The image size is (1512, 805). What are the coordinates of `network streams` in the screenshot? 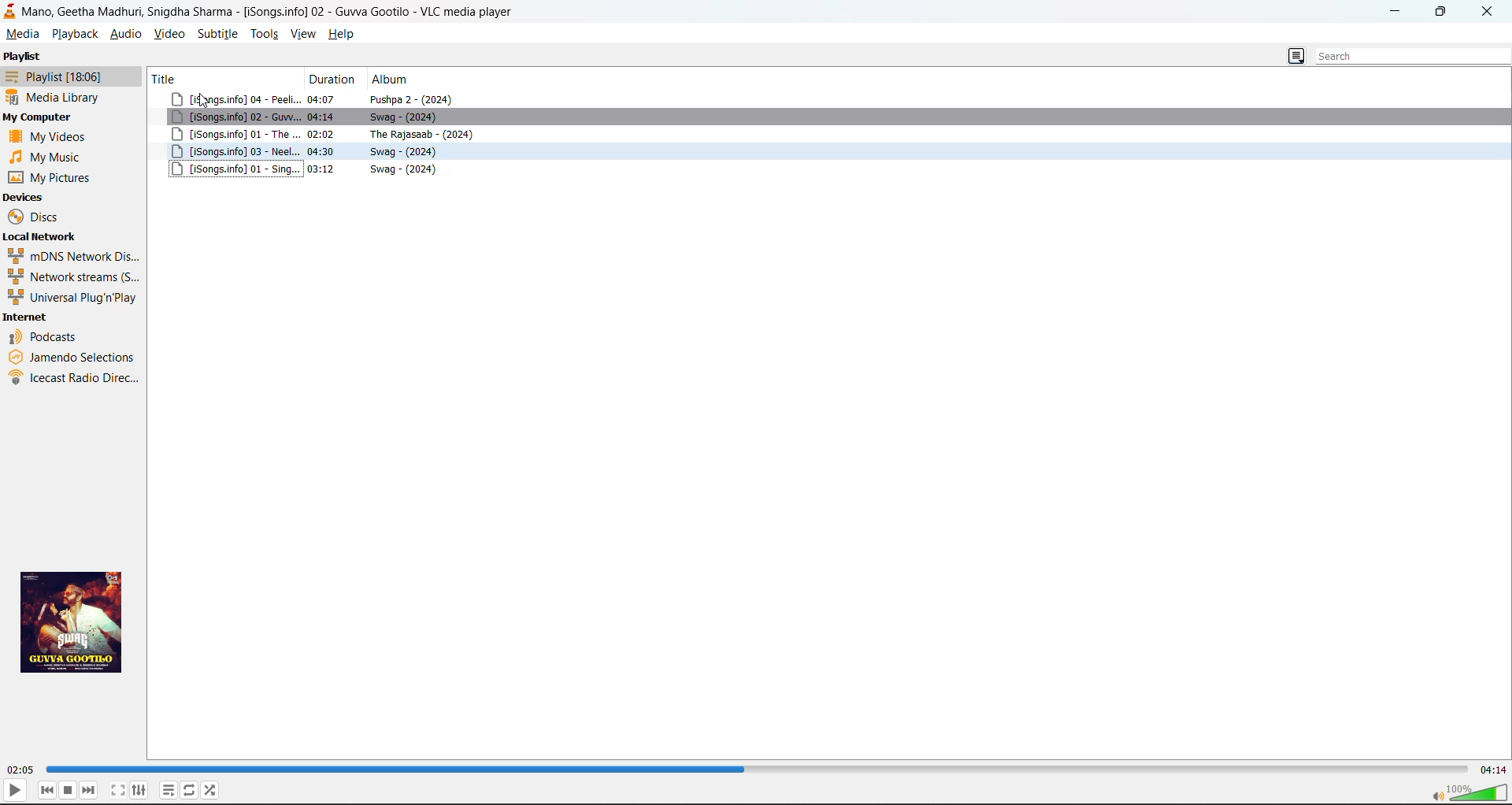 It's located at (69, 276).